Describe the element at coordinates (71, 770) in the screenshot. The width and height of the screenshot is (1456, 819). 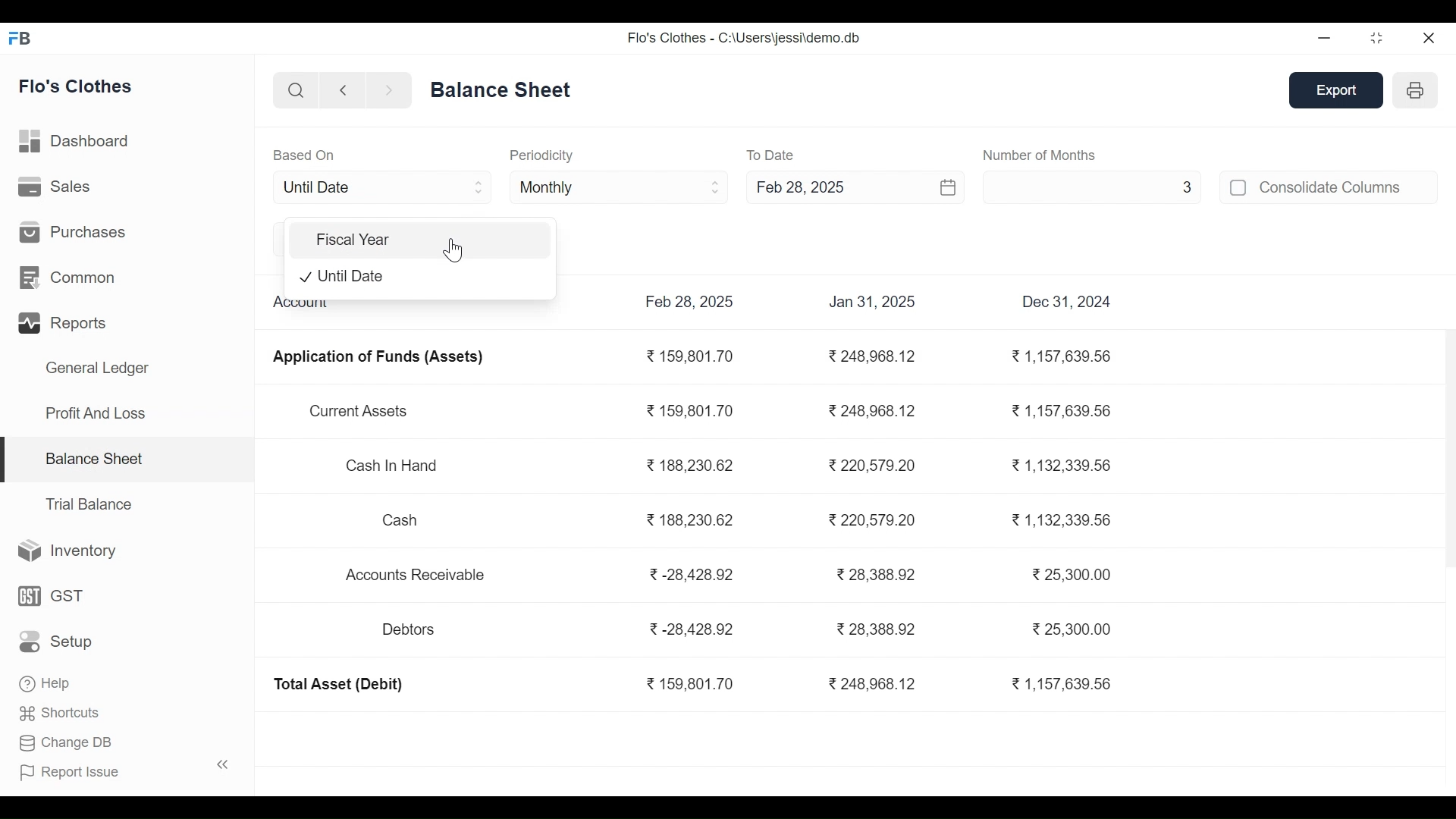
I see `Report Issue` at that location.